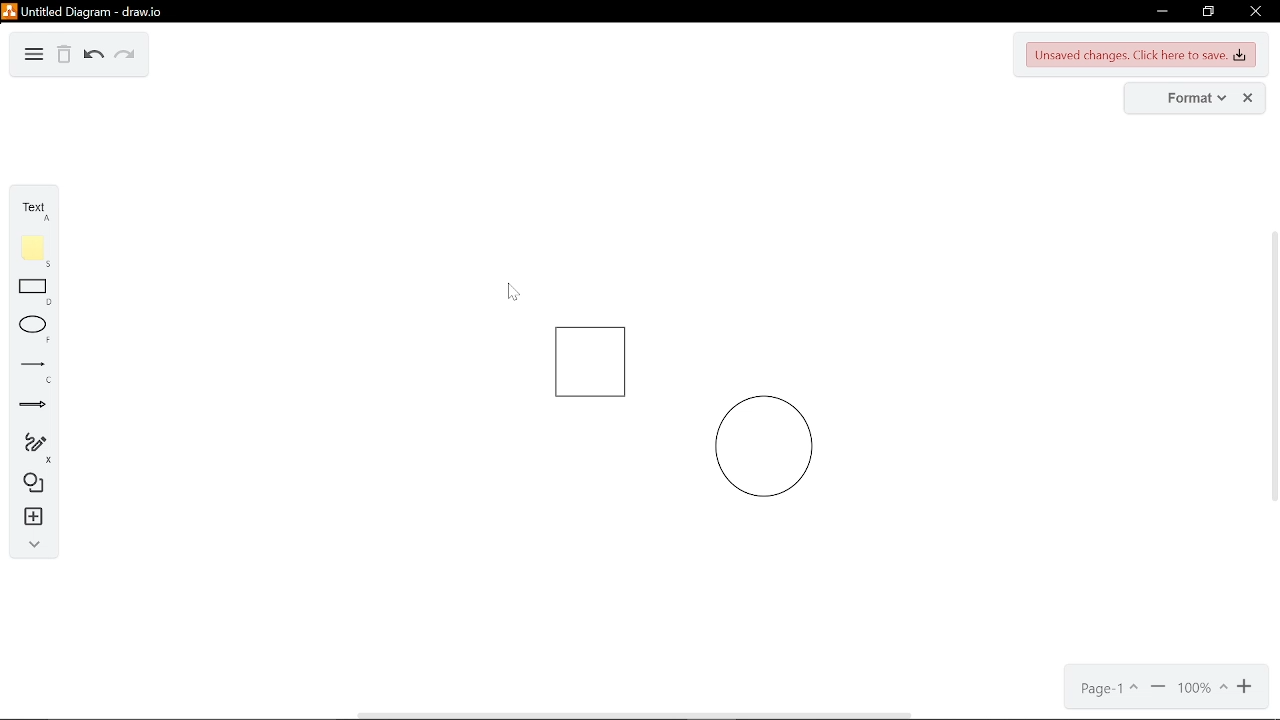 This screenshot has width=1280, height=720. What do you see at coordinates (34, 56) in the screenshot?
I see `diagram` at bounding box center [34, 56].